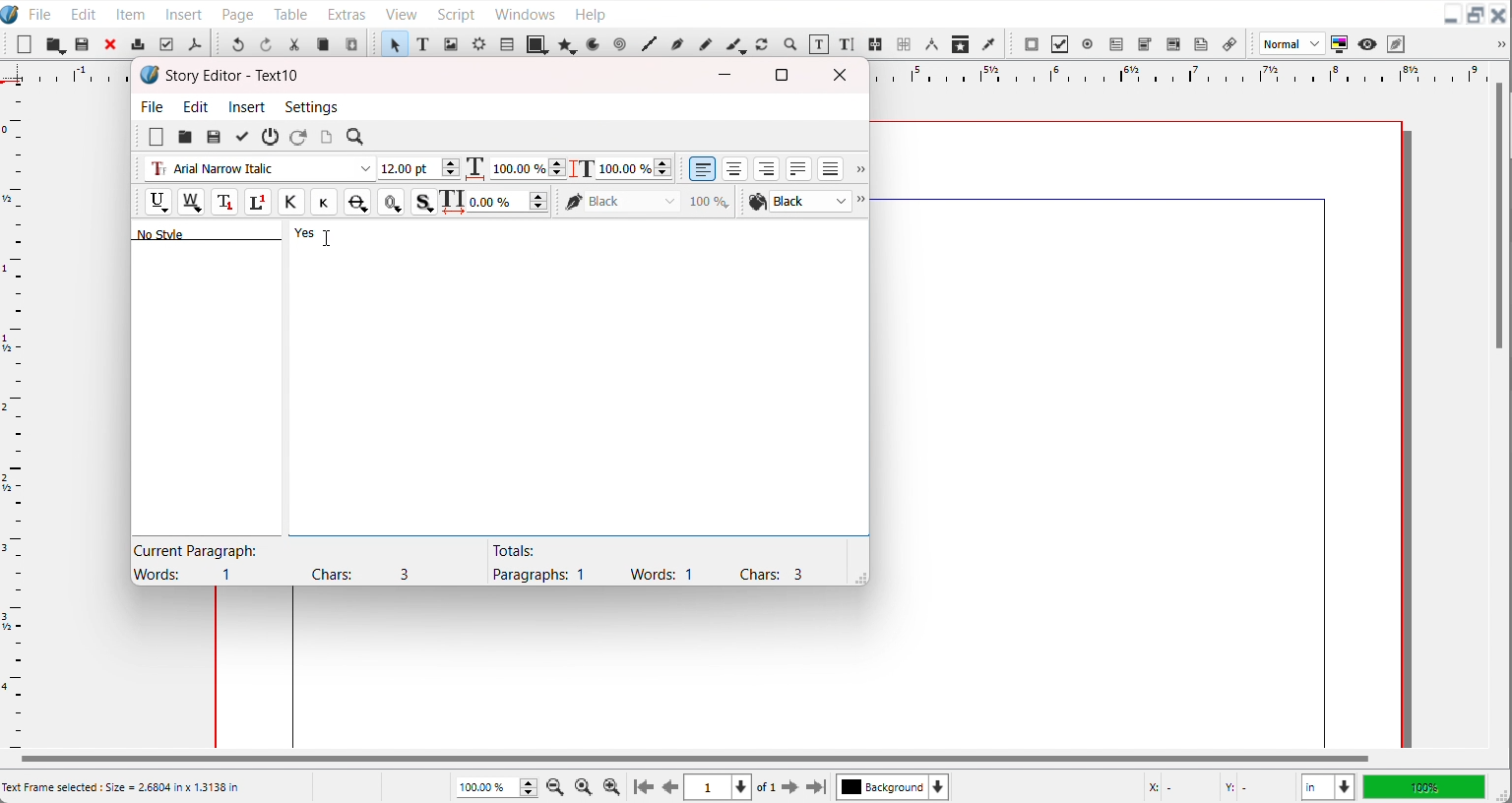  What do you see at coordinates (857, 577) in the screenshot?
I see `Window adjuster` at bounding box center [857, 577].